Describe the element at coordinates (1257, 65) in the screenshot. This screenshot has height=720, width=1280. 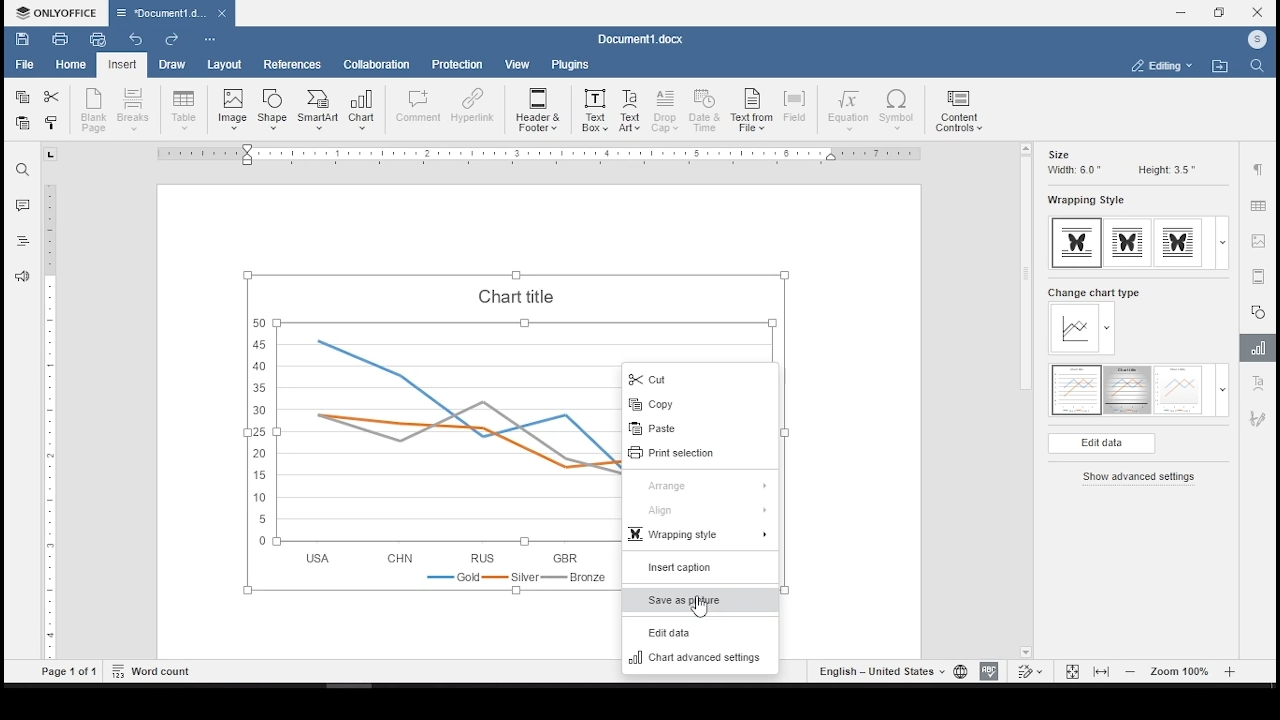
I see `find` at that location.